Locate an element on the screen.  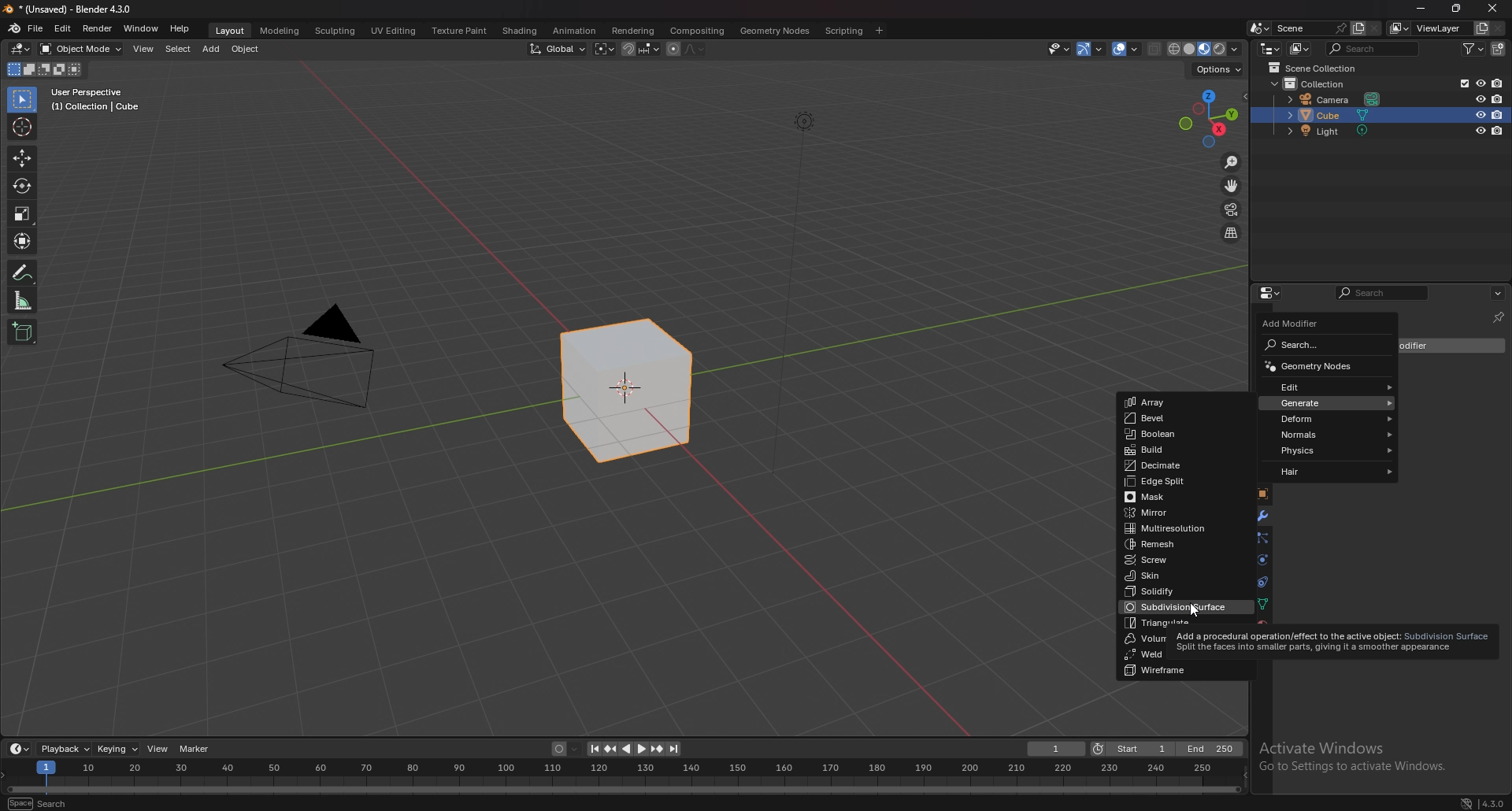
editor type is located at coordinates (20, 49).